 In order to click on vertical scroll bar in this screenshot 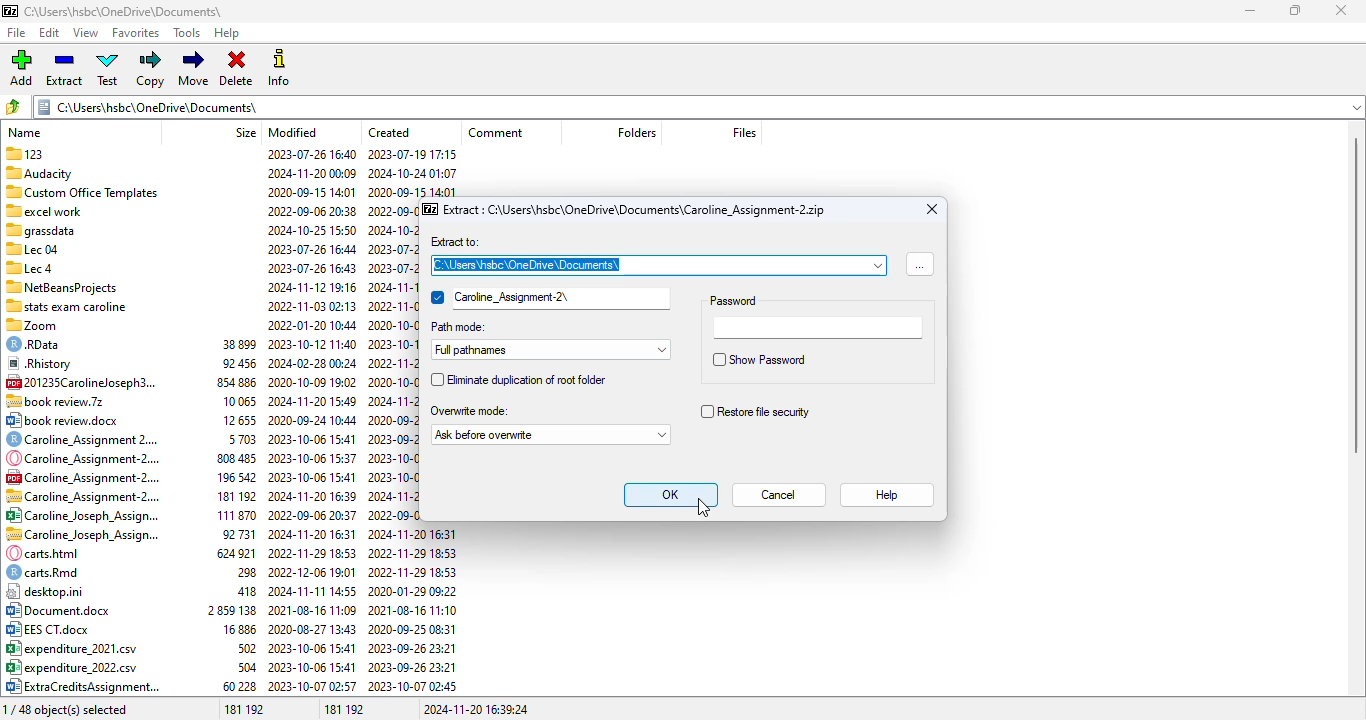, I will do `click(1356, 294)`.